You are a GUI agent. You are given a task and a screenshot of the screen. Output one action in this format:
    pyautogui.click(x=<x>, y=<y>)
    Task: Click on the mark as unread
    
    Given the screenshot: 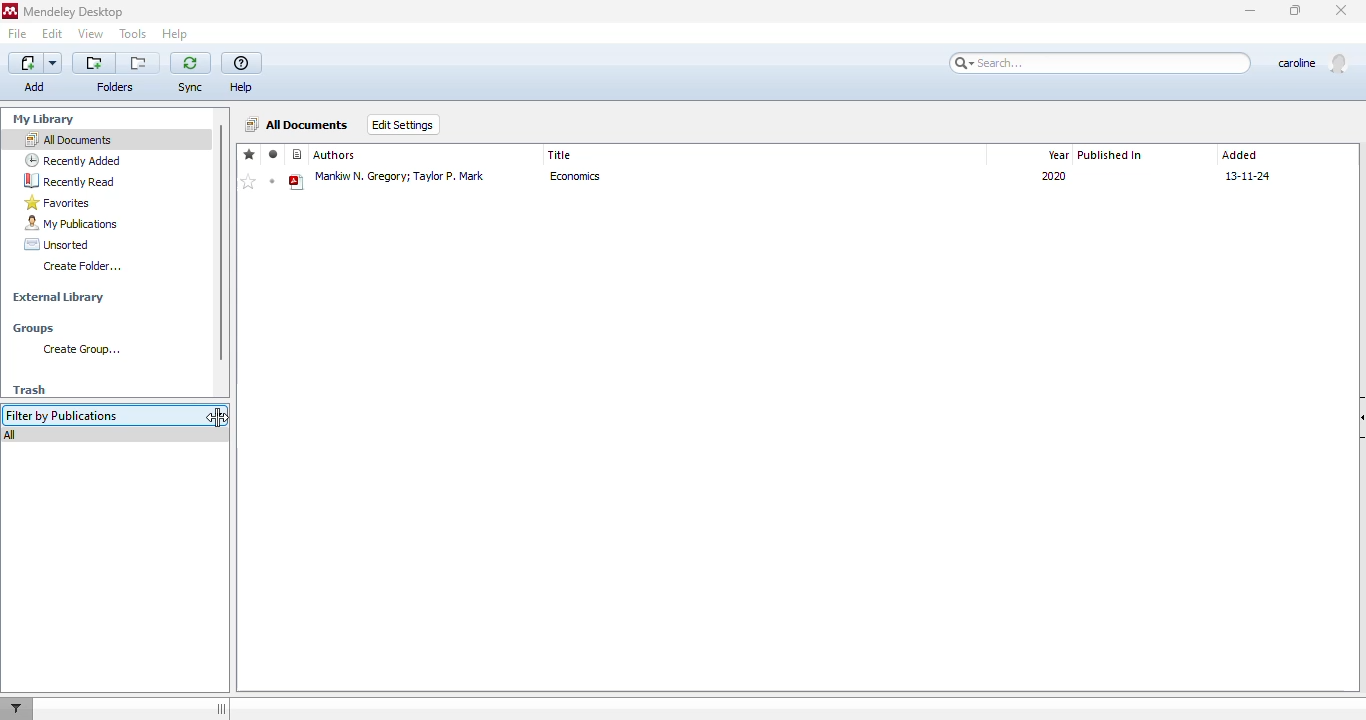 What is the action you would take?
    pyautogui.click(x=272, y=181)
    